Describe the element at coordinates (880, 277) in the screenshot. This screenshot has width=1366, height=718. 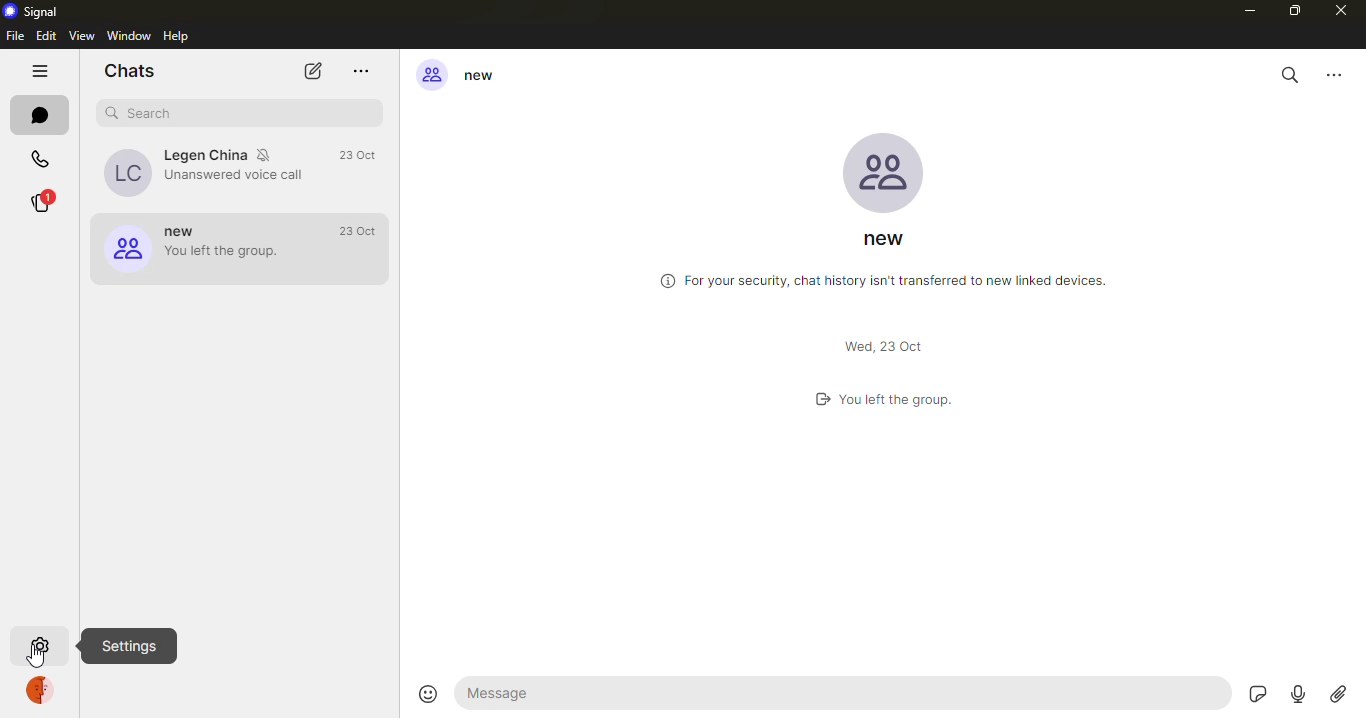
I see `info` at that location.